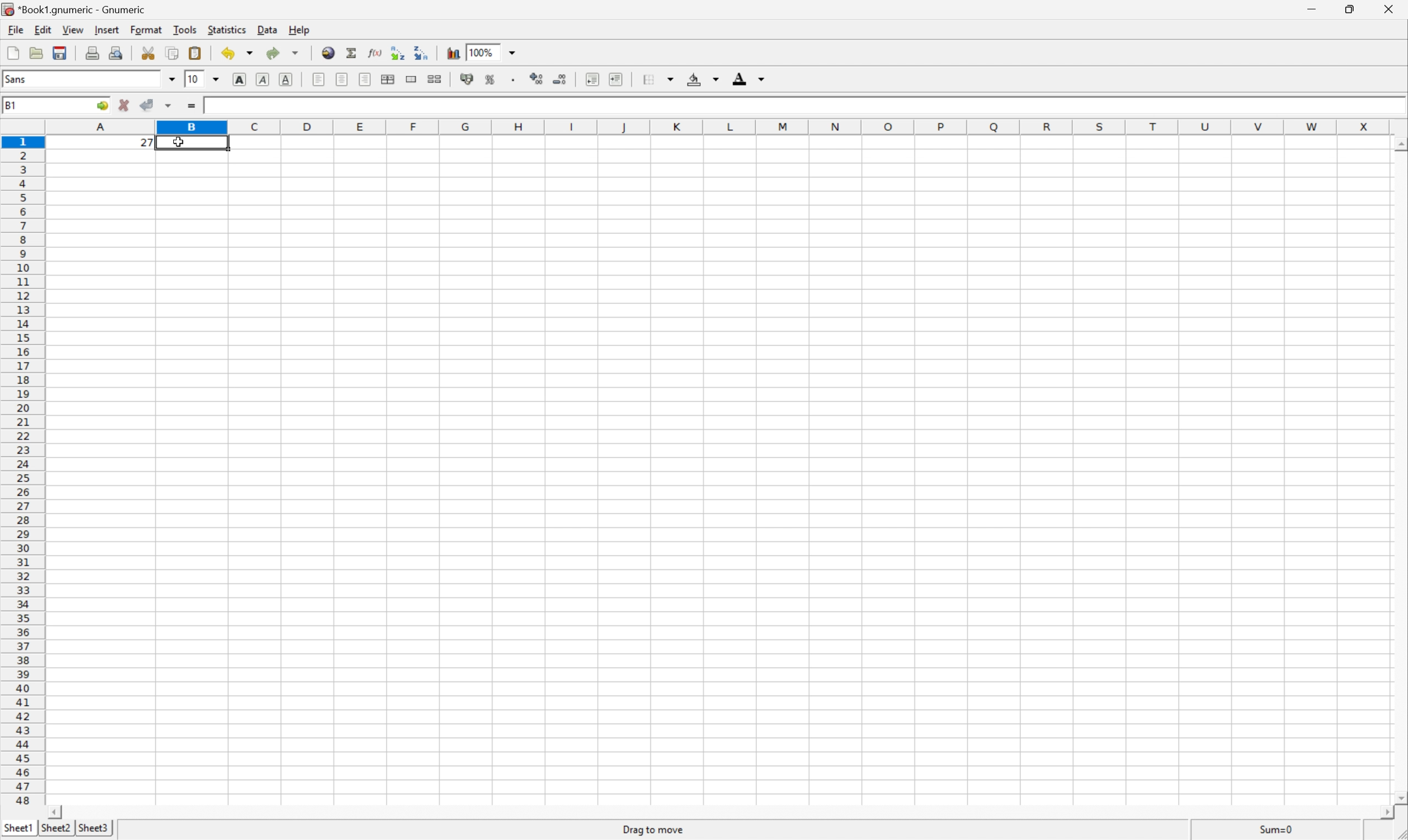 This screenshot has height=840, width=1408. What do you see at coordinates (146, 104) in the screenshot?
I see `Accept changes` at bounding box center [146, 104].